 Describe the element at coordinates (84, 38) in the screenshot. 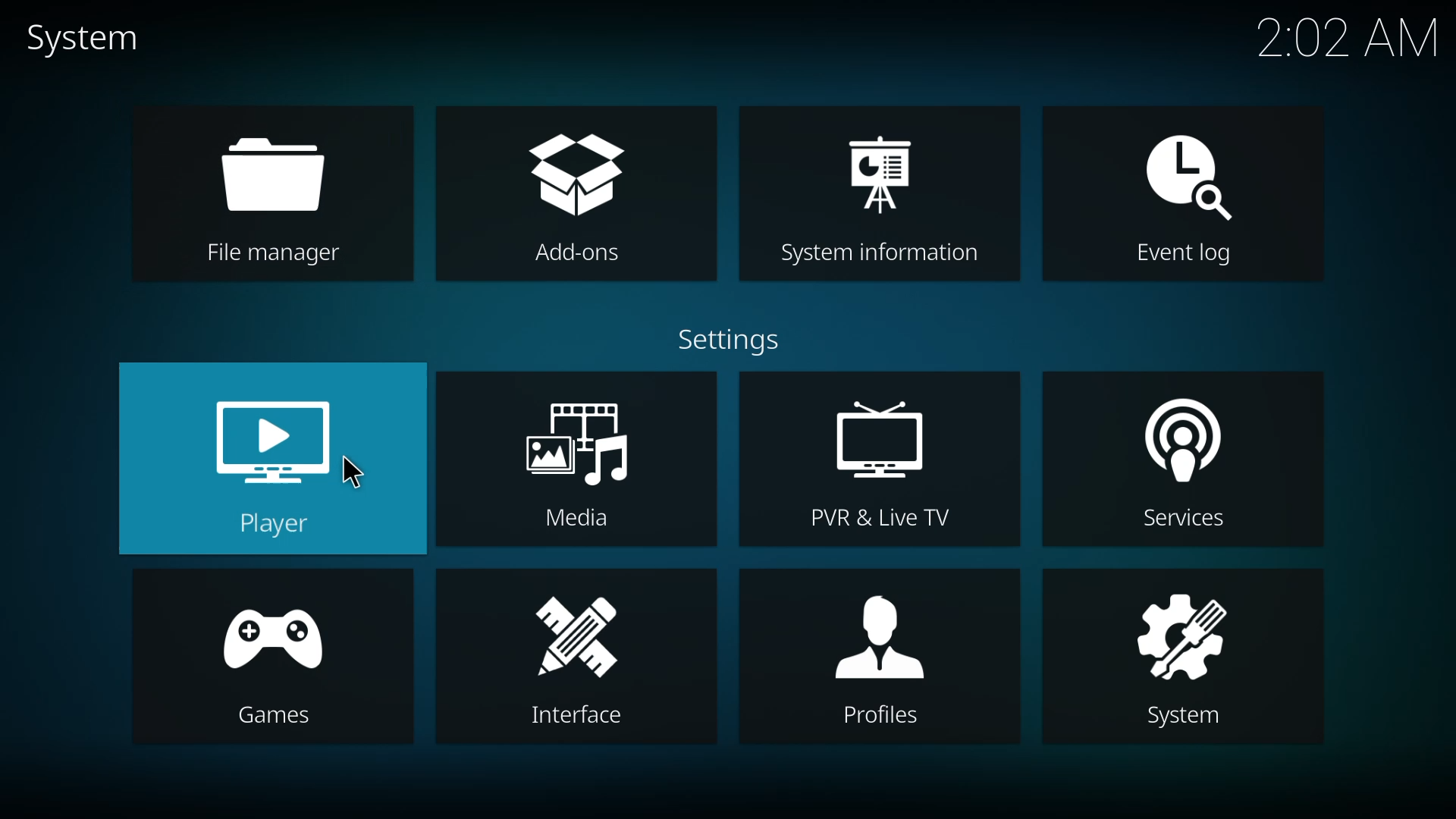

I see `system` at that location.